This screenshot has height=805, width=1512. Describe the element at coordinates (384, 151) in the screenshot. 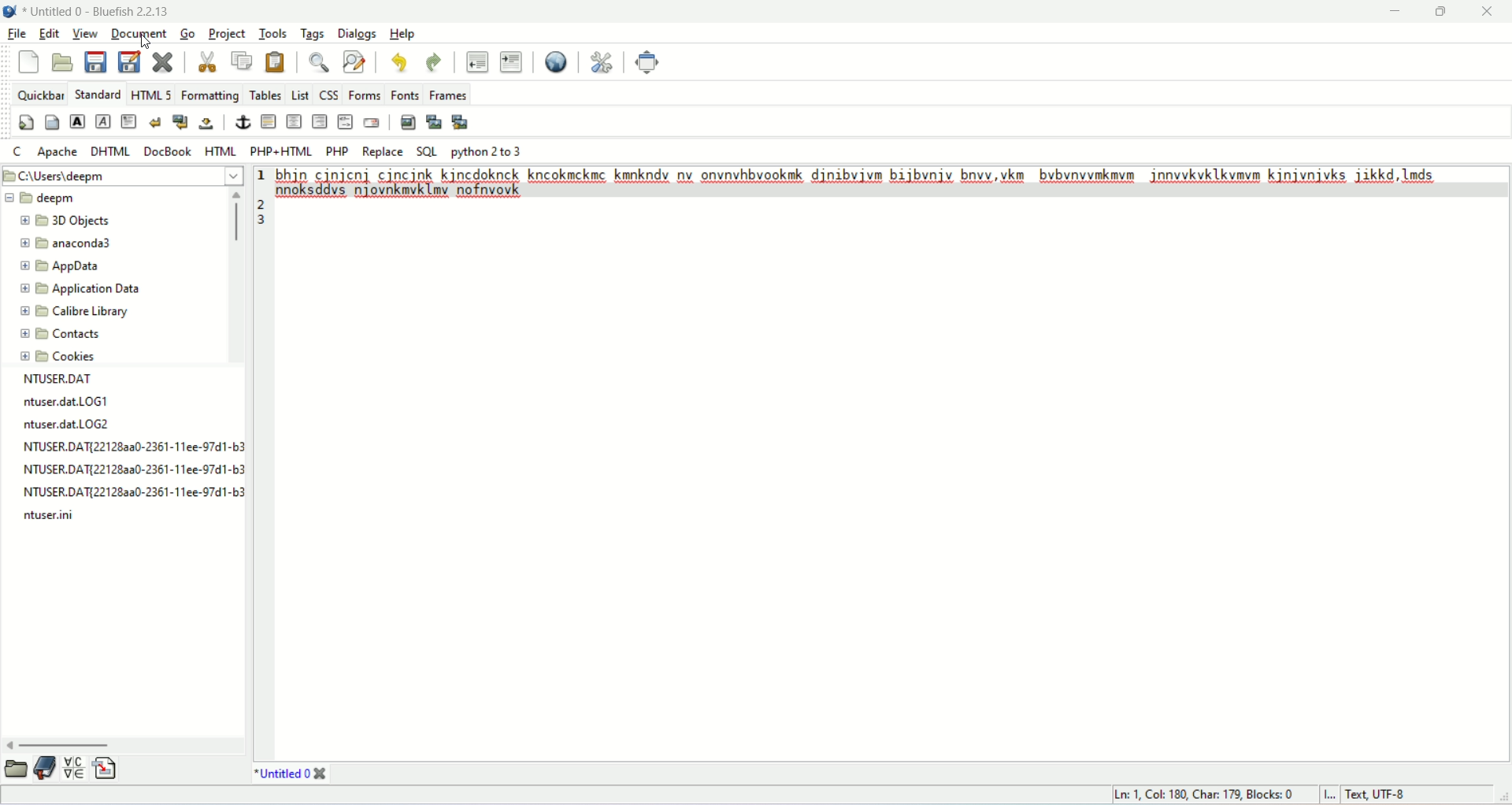

I see `REPLACE` at that location.